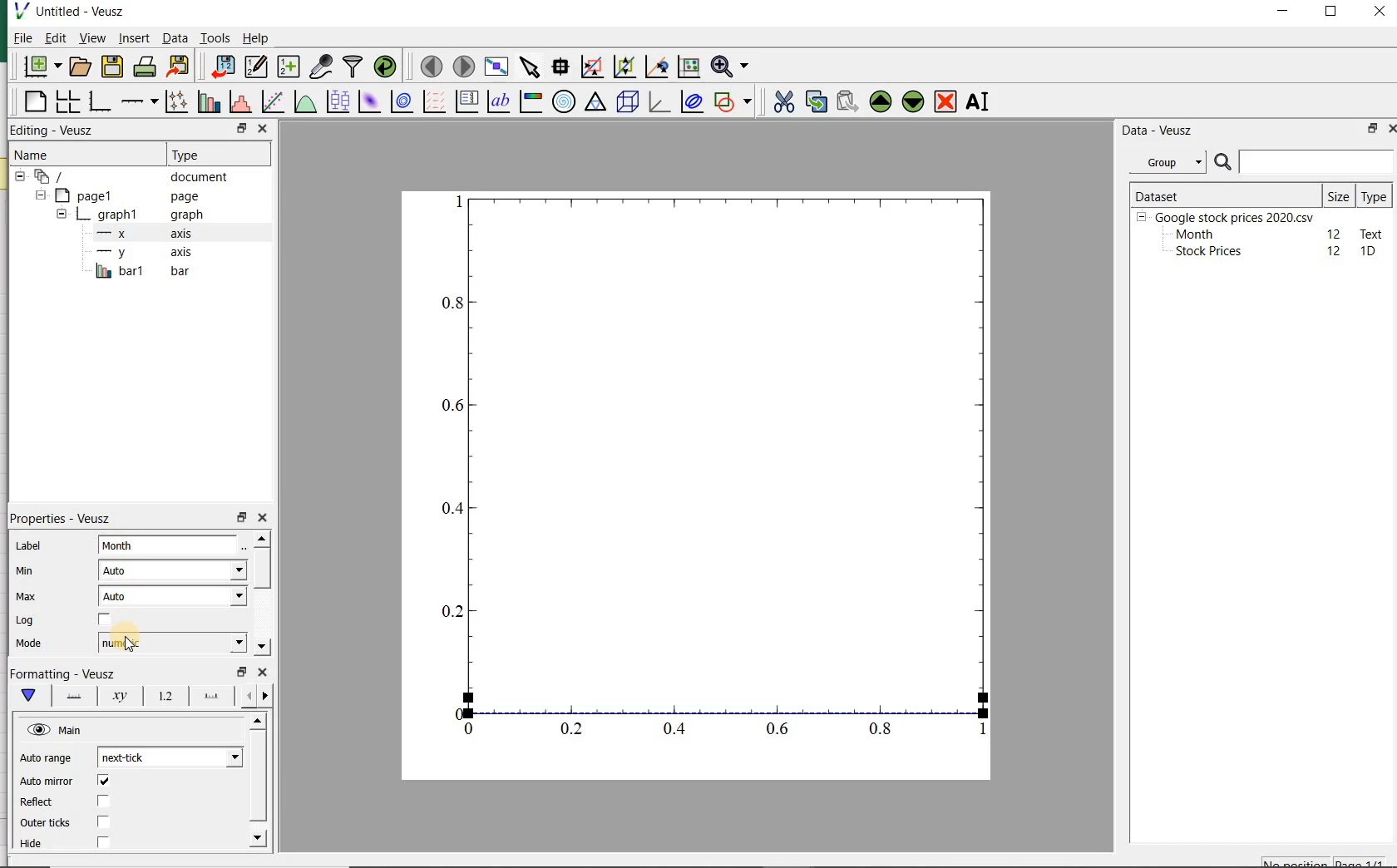  Describe the element at coordinates (1339, 195) in the screenshot. I see `Size` at that location.